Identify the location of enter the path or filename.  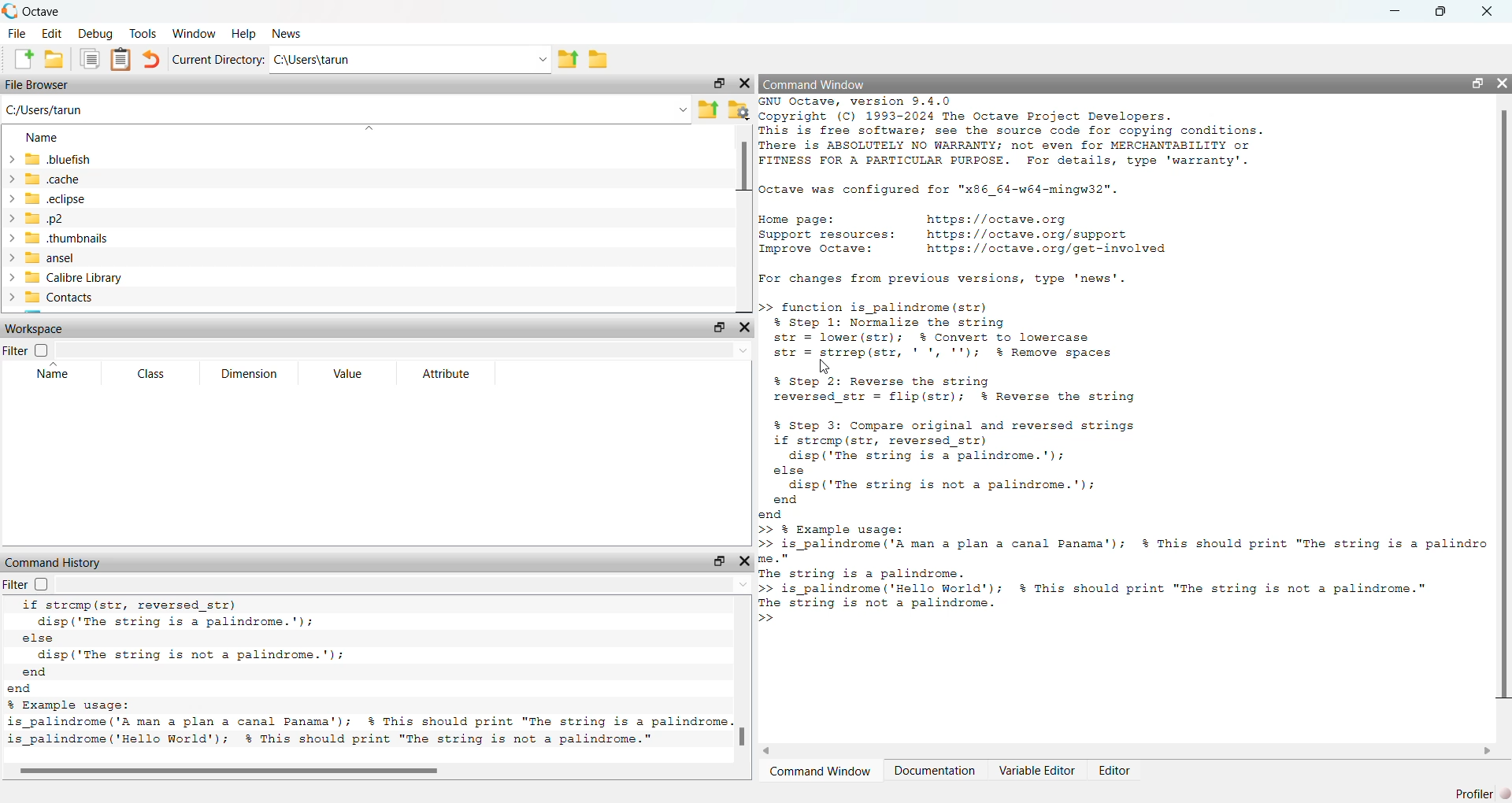
(344, 111).